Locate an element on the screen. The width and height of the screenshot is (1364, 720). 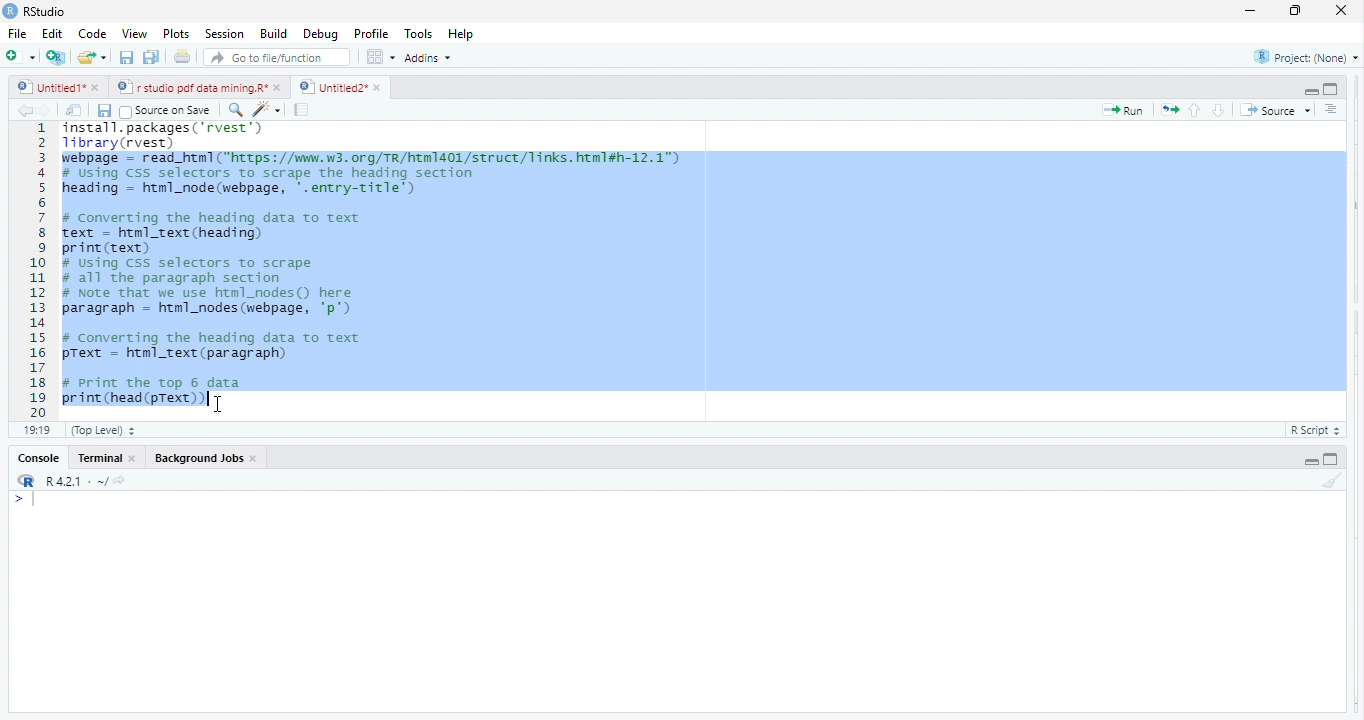
Console is located at coordinates (38, 459).